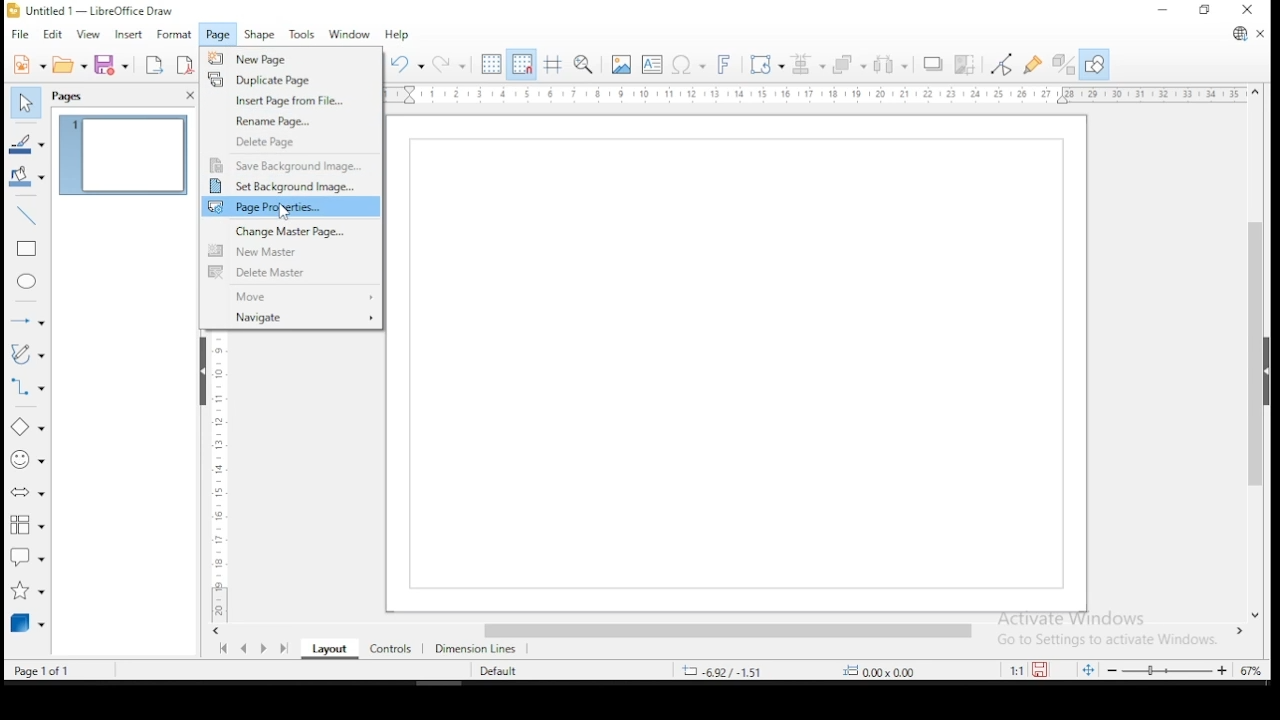  What do you see at coordinates (1062, 65) in the screenshot?
I see `toggle extrusions` at bounding box center [1062, 65].